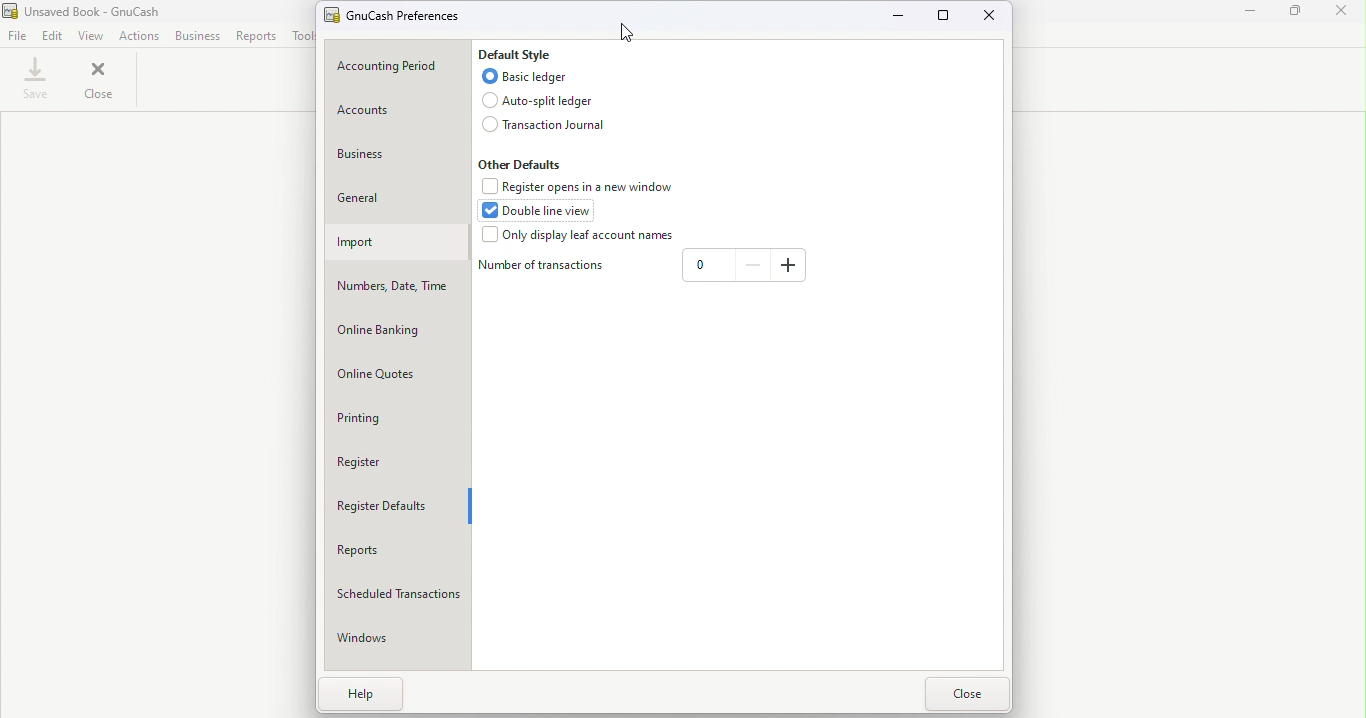 This screenshot has height=718, width=1366. I want to click on help, so click(356, 696).